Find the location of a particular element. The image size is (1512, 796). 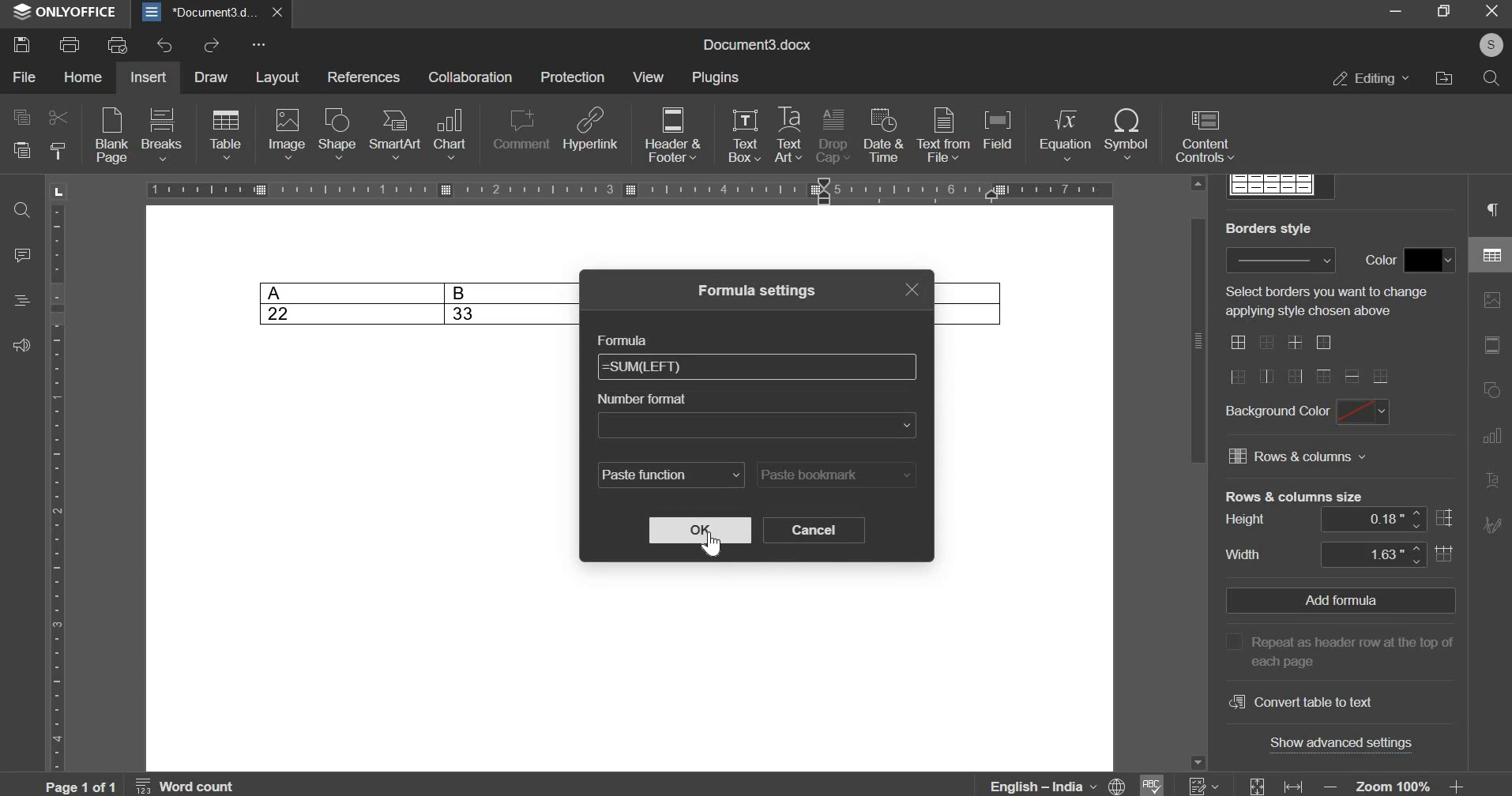

maximize is located at coordinates (1445, 13).